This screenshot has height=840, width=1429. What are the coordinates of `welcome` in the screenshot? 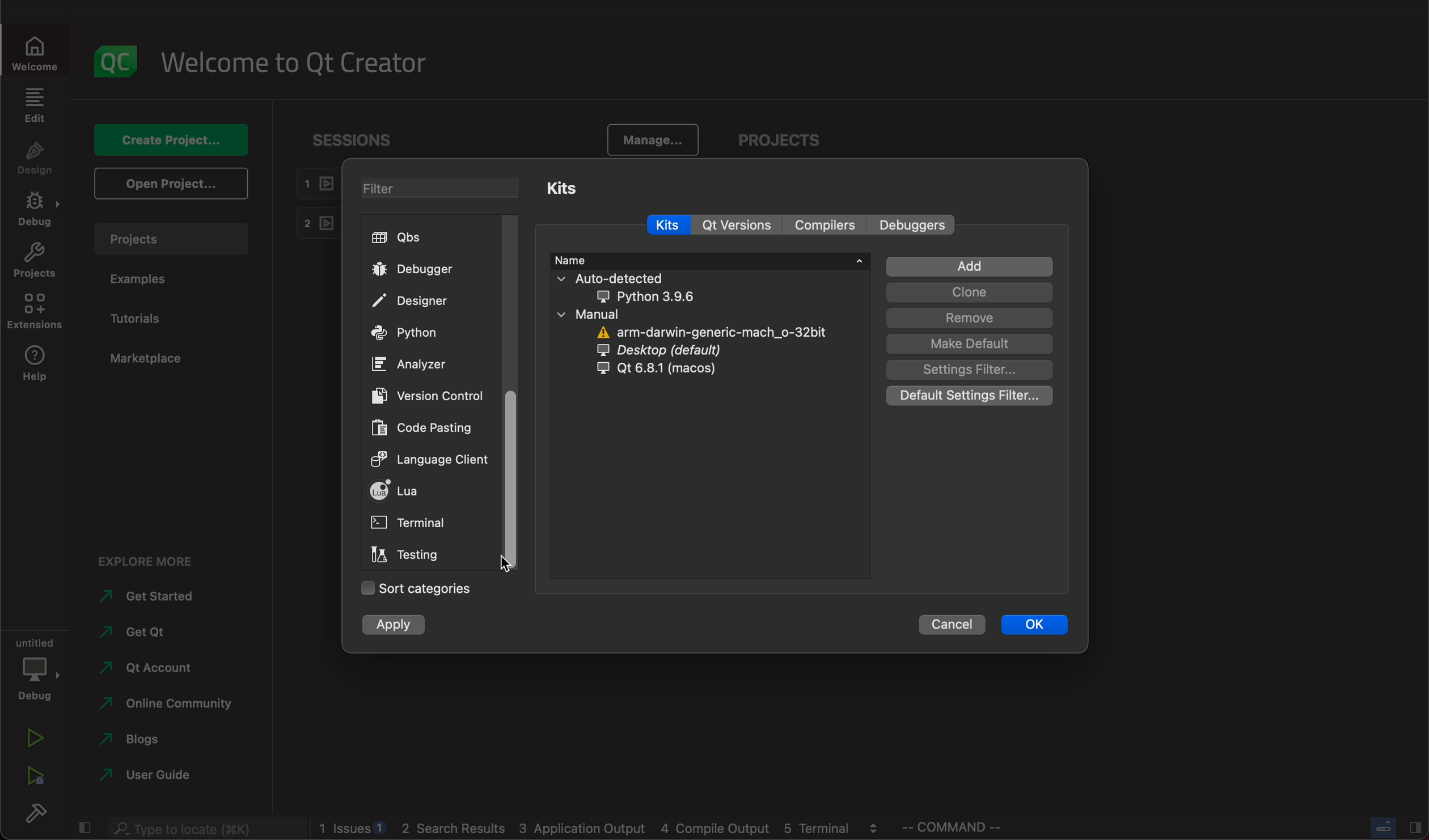 It's located at (35, 50).